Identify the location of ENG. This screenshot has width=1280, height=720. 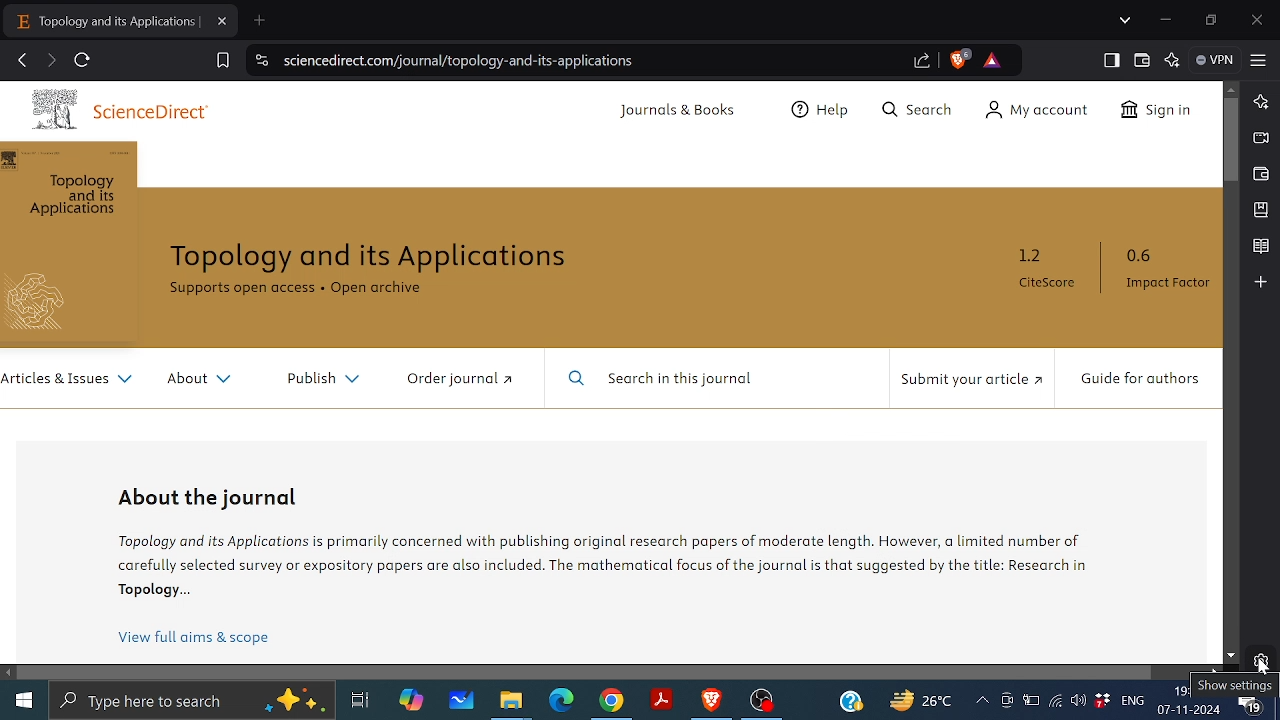
(1131, 704).